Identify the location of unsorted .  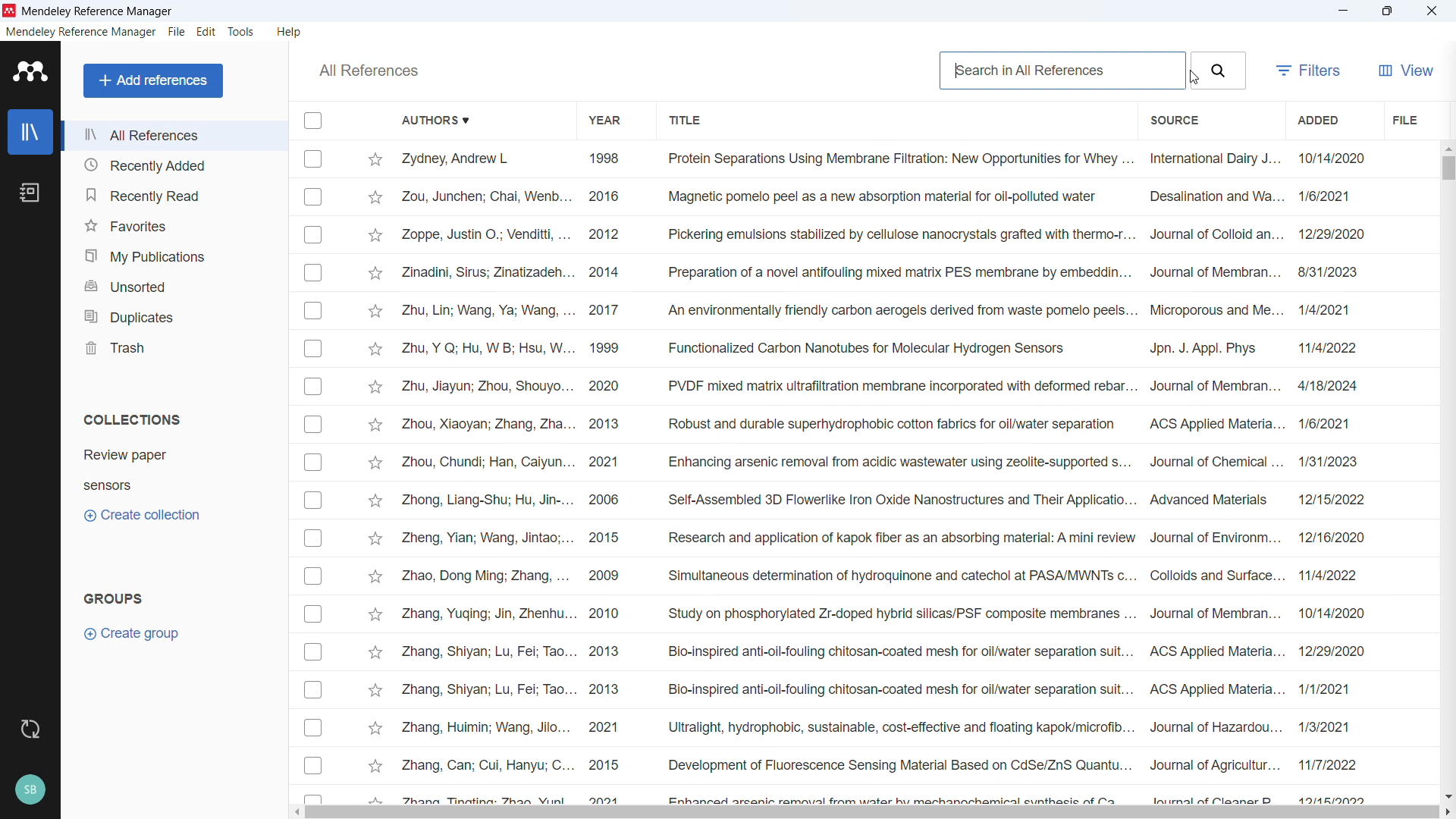
(172, 284).